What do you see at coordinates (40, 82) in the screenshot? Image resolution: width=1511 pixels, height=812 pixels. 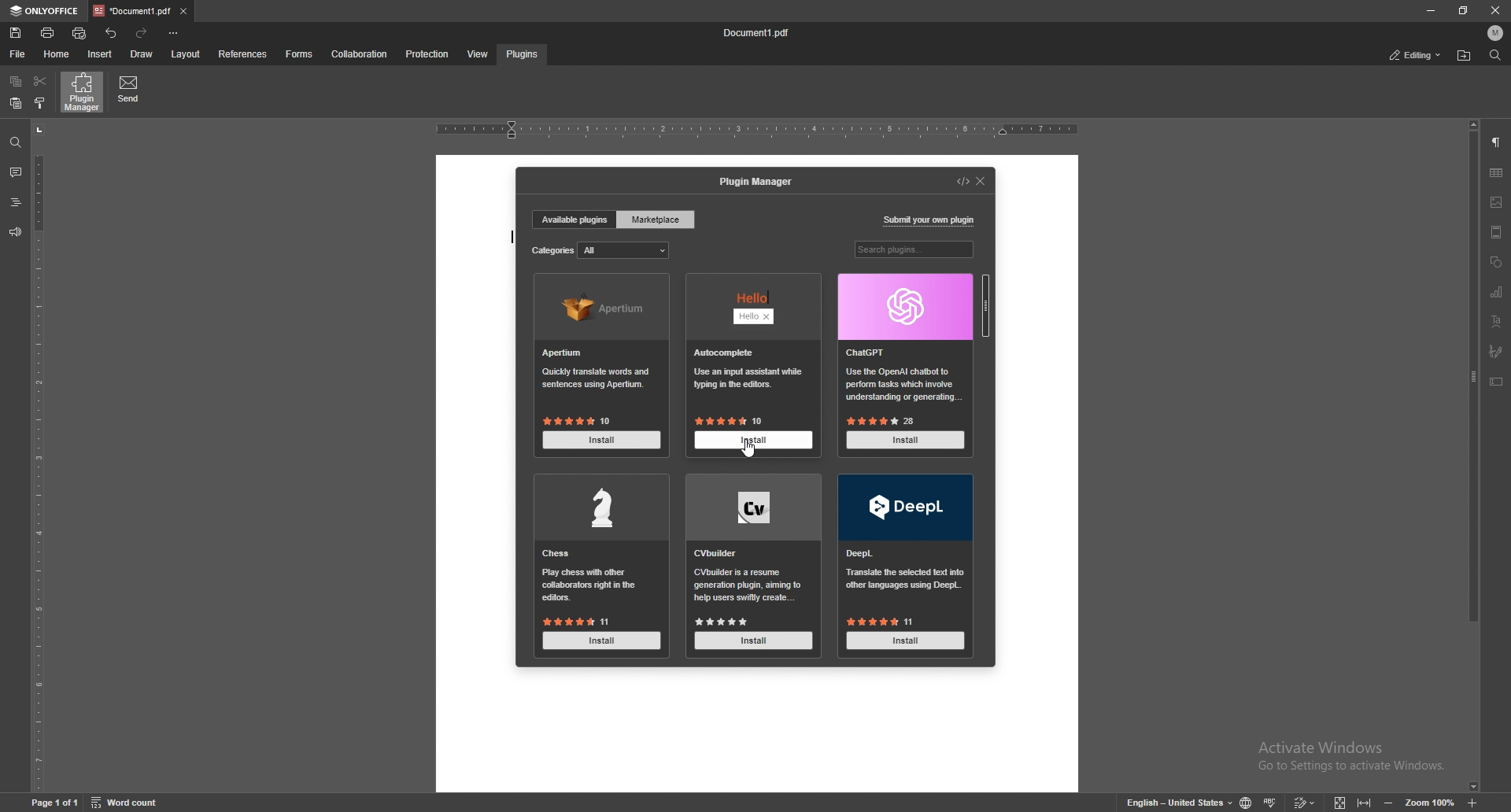 I see `cut` at bounding box center [40, 82].